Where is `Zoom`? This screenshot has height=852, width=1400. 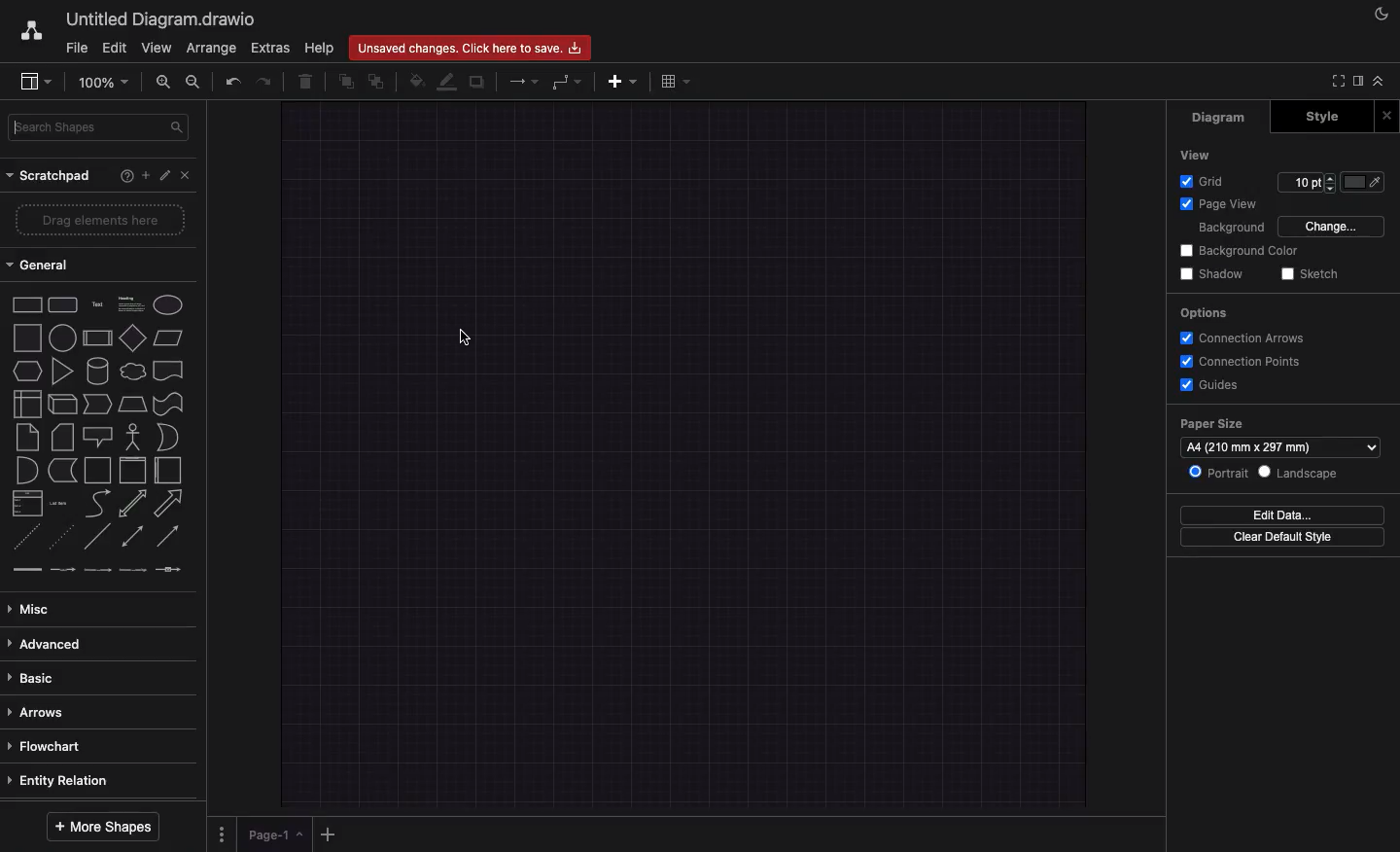
Zoom is located at coordinates (102, 81).